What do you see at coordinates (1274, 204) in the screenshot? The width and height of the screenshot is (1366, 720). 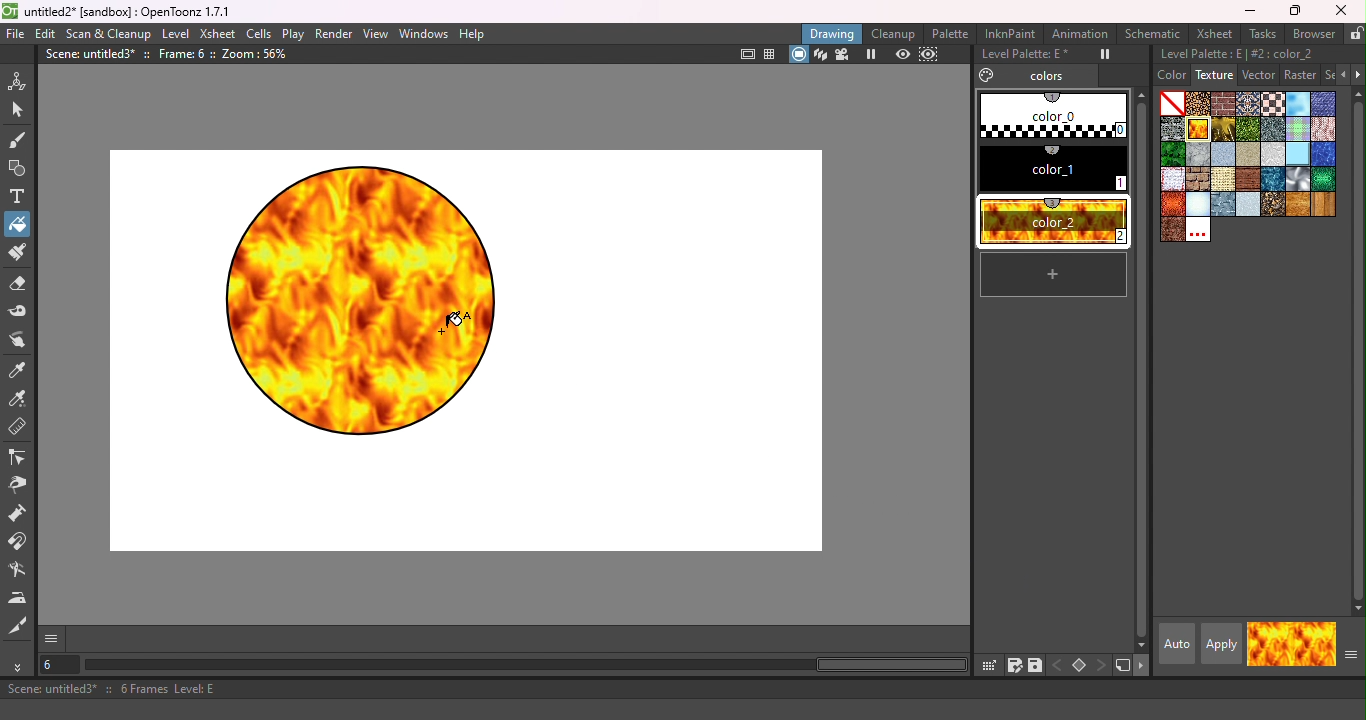 I see `wetpebbles.bmp` at bounding box center [1274, 204].